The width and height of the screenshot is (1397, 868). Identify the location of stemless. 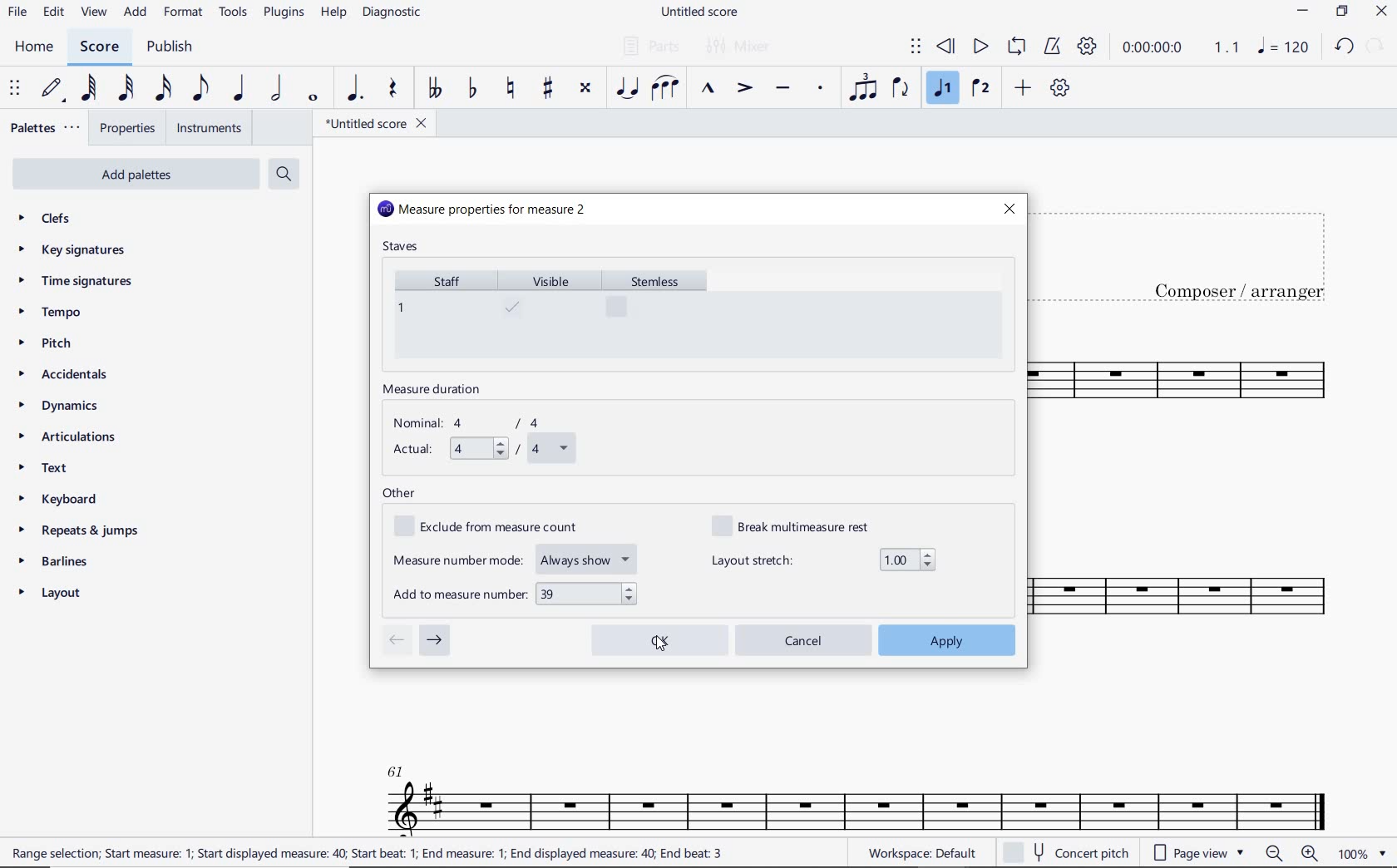
(662, 313).